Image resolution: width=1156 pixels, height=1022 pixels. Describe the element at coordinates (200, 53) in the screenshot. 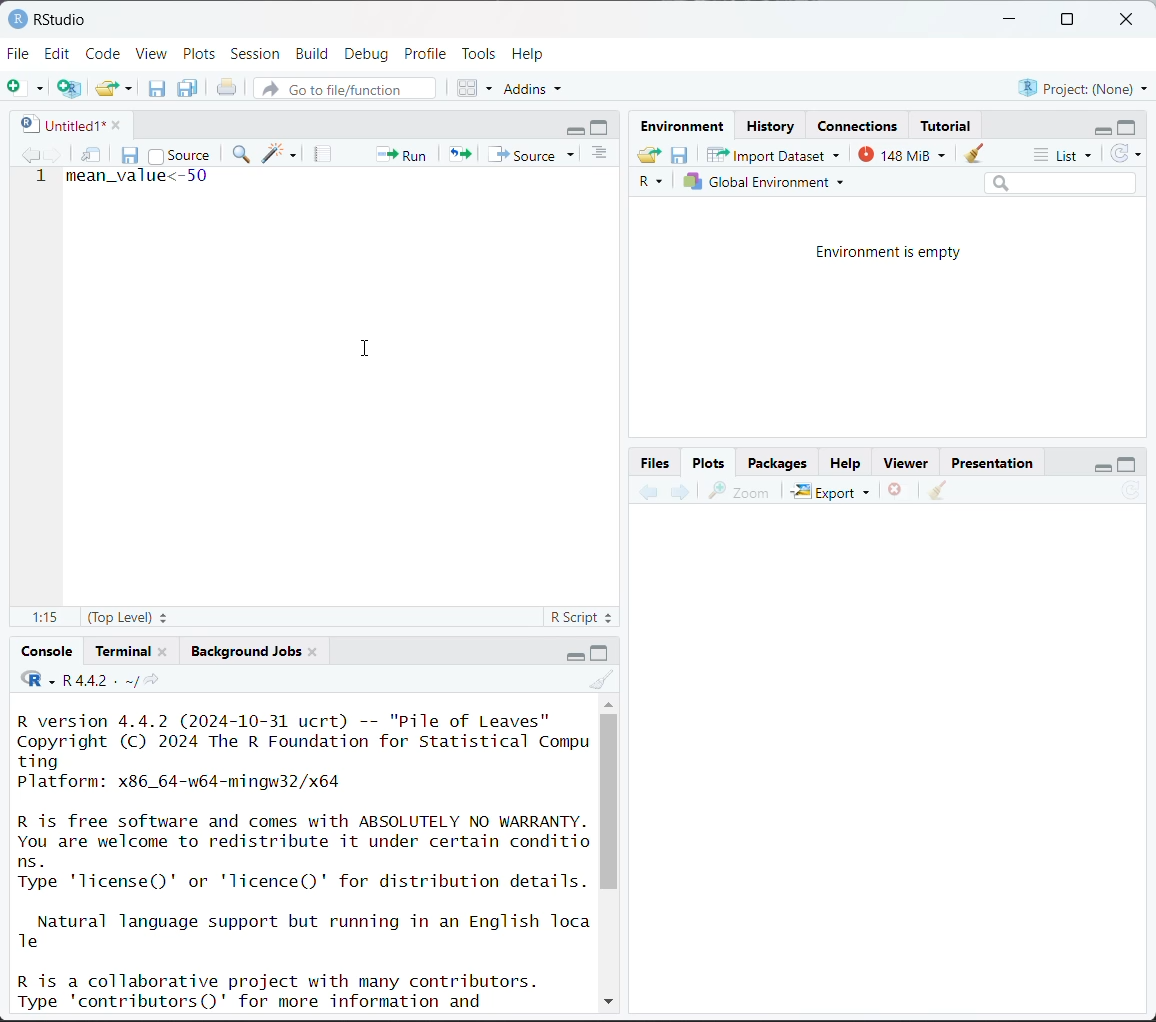

I see `Plots` at that location.